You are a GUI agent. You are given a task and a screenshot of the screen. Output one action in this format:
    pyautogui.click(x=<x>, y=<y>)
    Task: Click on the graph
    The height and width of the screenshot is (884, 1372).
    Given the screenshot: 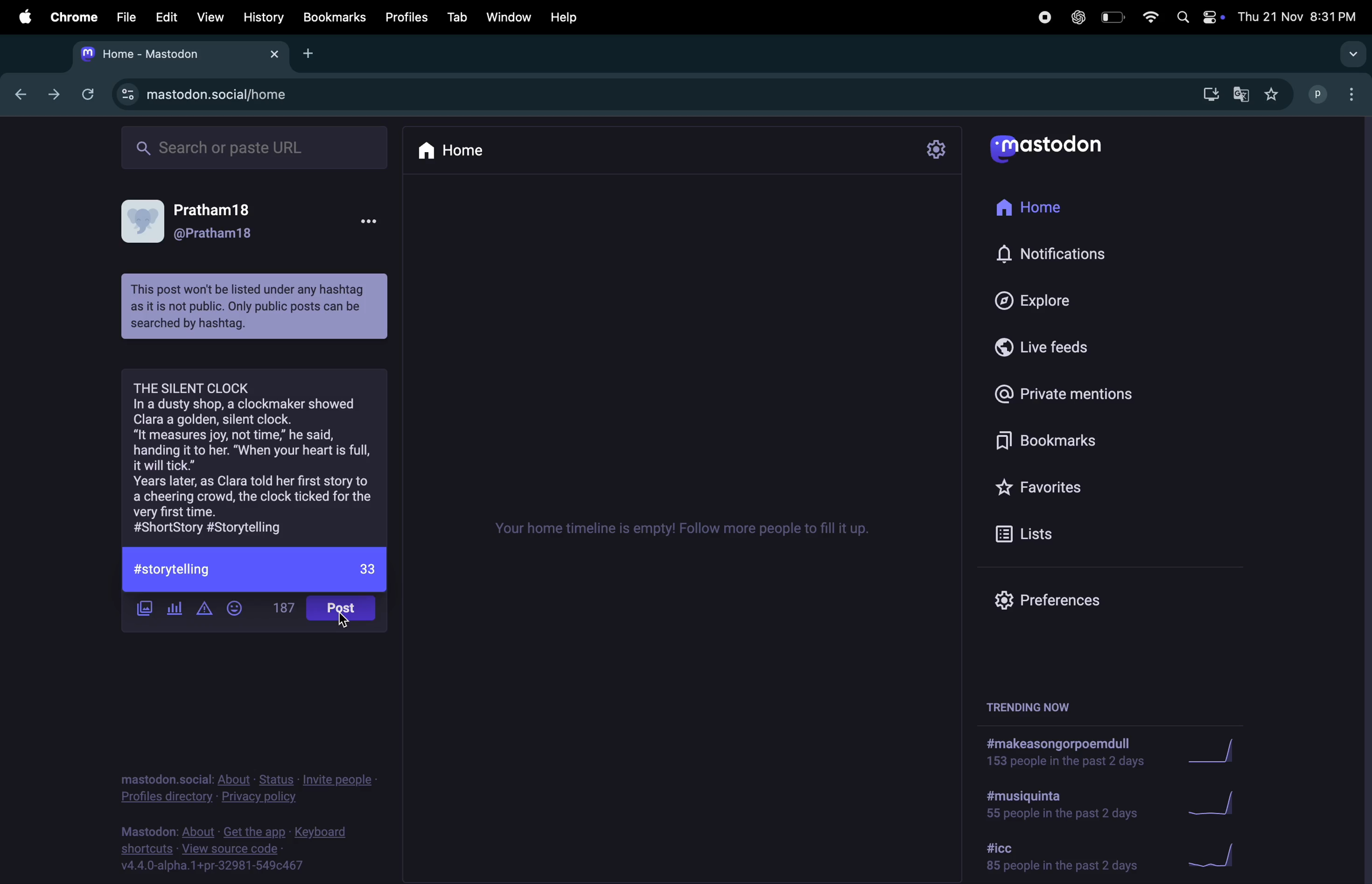 What is the action you would take?
    pyautogui.click(x=1216, y=804)
    